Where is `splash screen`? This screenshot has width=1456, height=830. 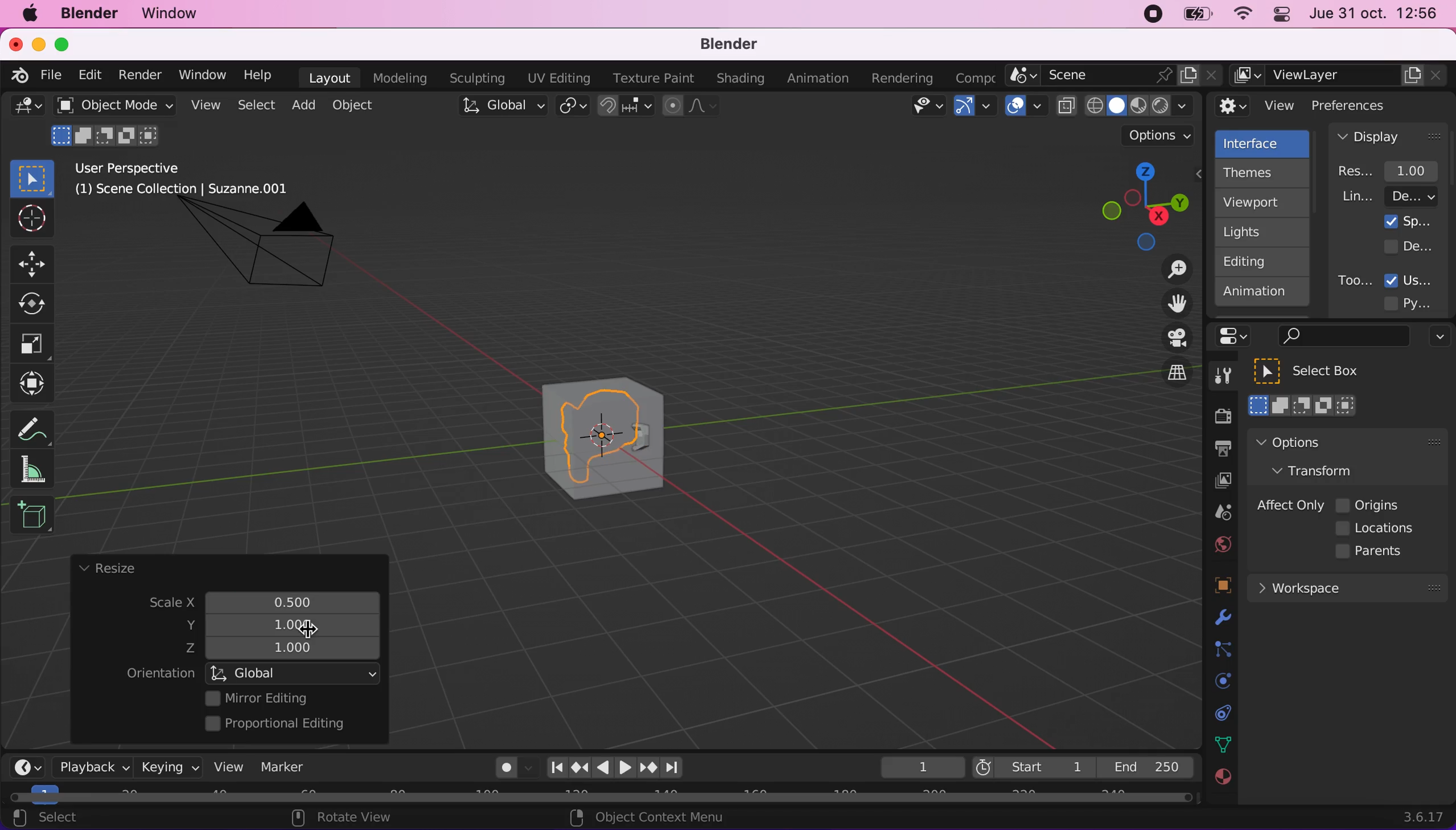 splash screen is located at coordinates (1408, 221).